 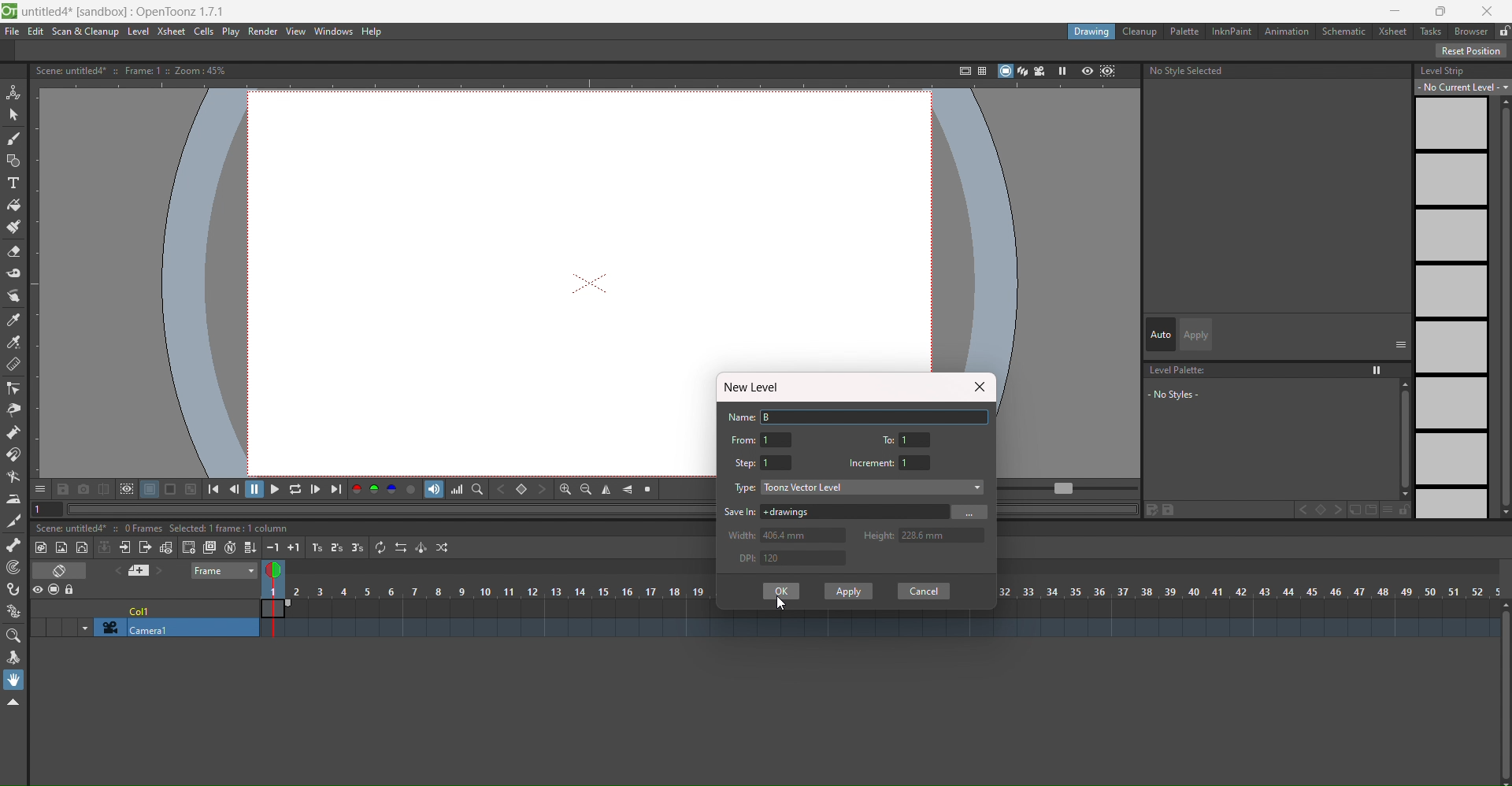 What do you see at coordinates (13, 658) in the screenshot?
I see `rotate tool` at bounding box center [13, 658].